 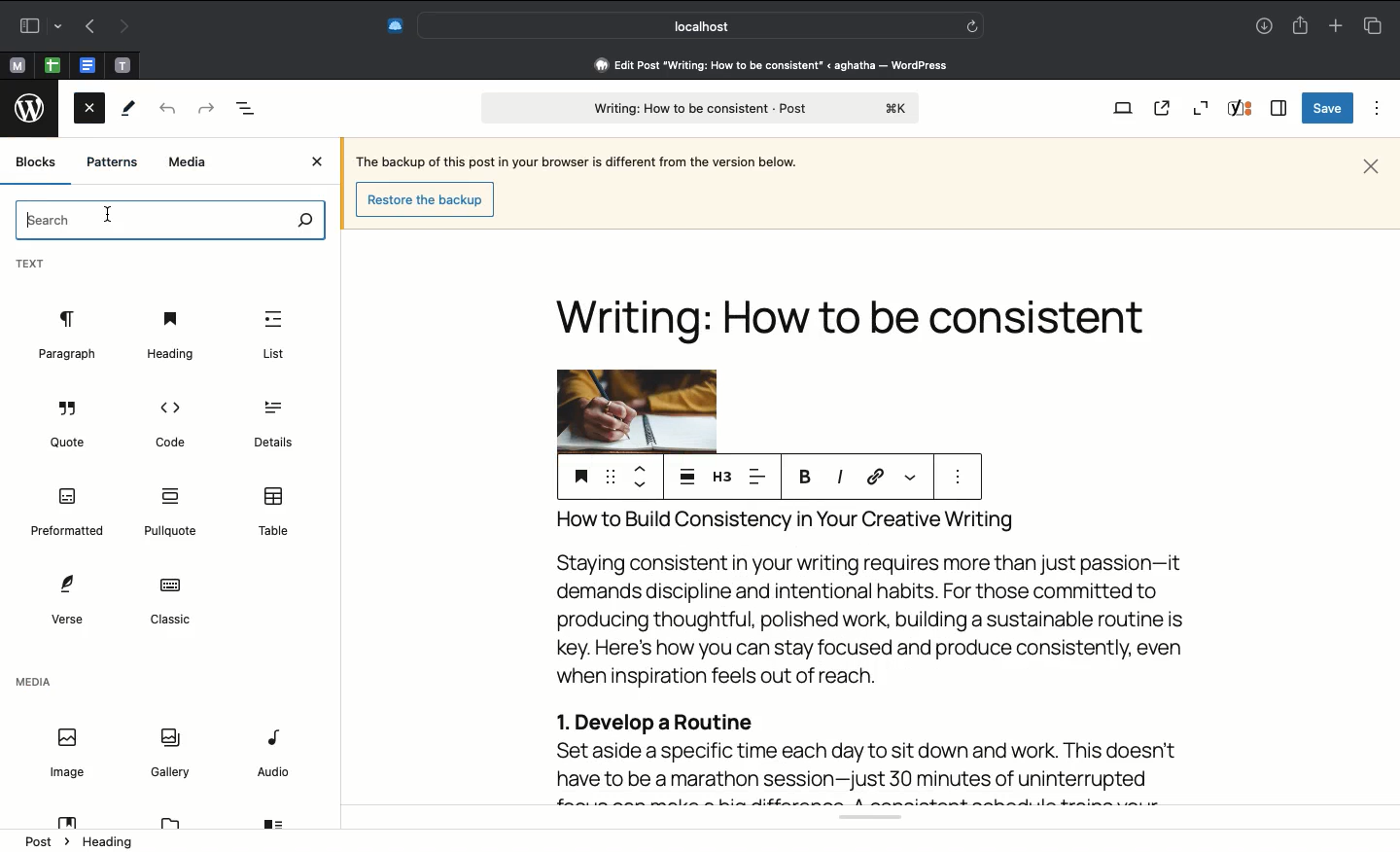 What do you see at coordinates (107, 215) in the screenshot?
I see `cursor` at bounding box center [107, 215].